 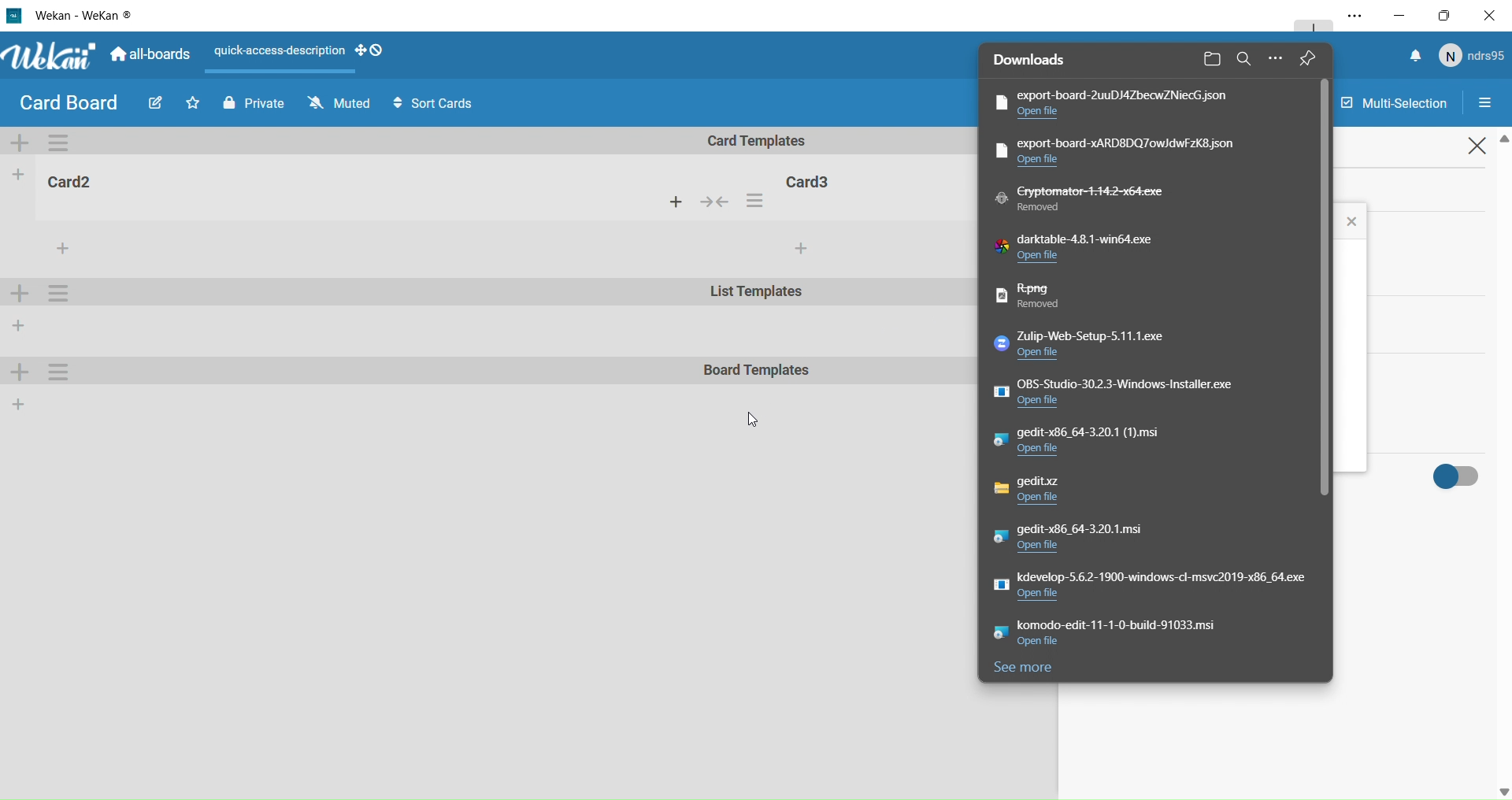 What do you see at coordinates (1392, 99) in the screenshot?
I see `Multi Selection` at bounding box center [1392, 99].